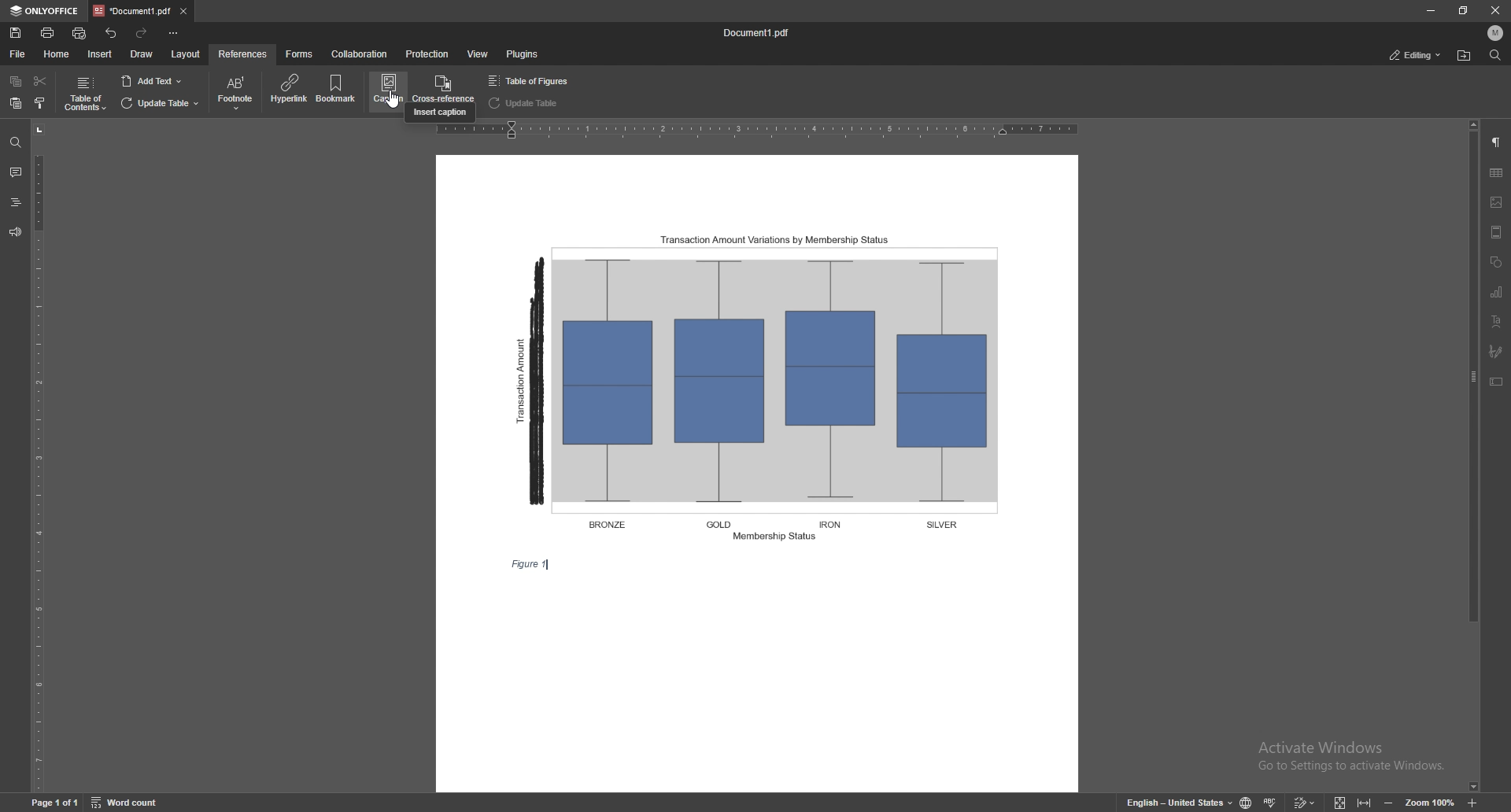 This screenshot has height=812, width=1511. I want to click on print, so click(47, 32).